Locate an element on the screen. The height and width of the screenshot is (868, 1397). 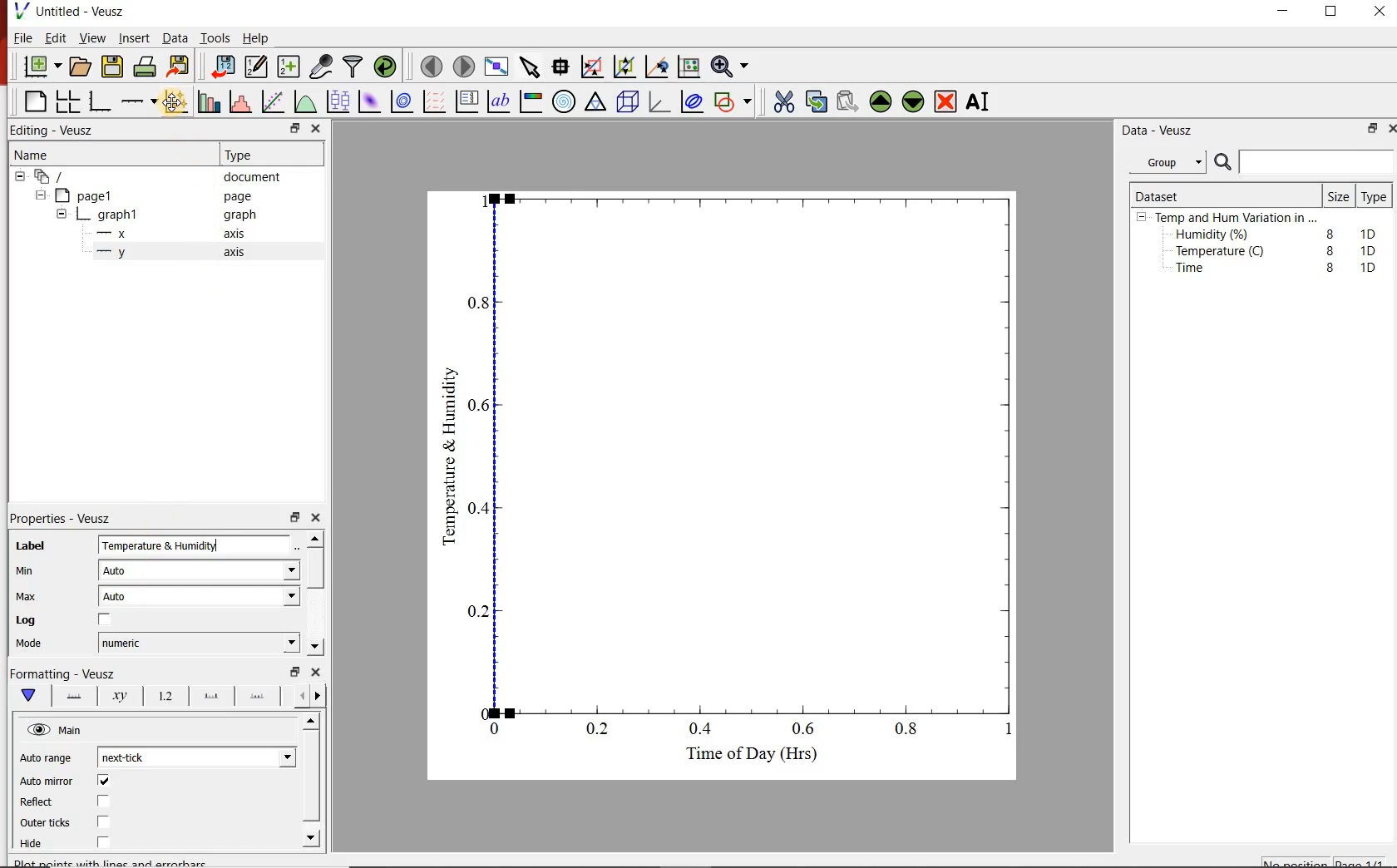
close is located at coordinates (1380, 12).